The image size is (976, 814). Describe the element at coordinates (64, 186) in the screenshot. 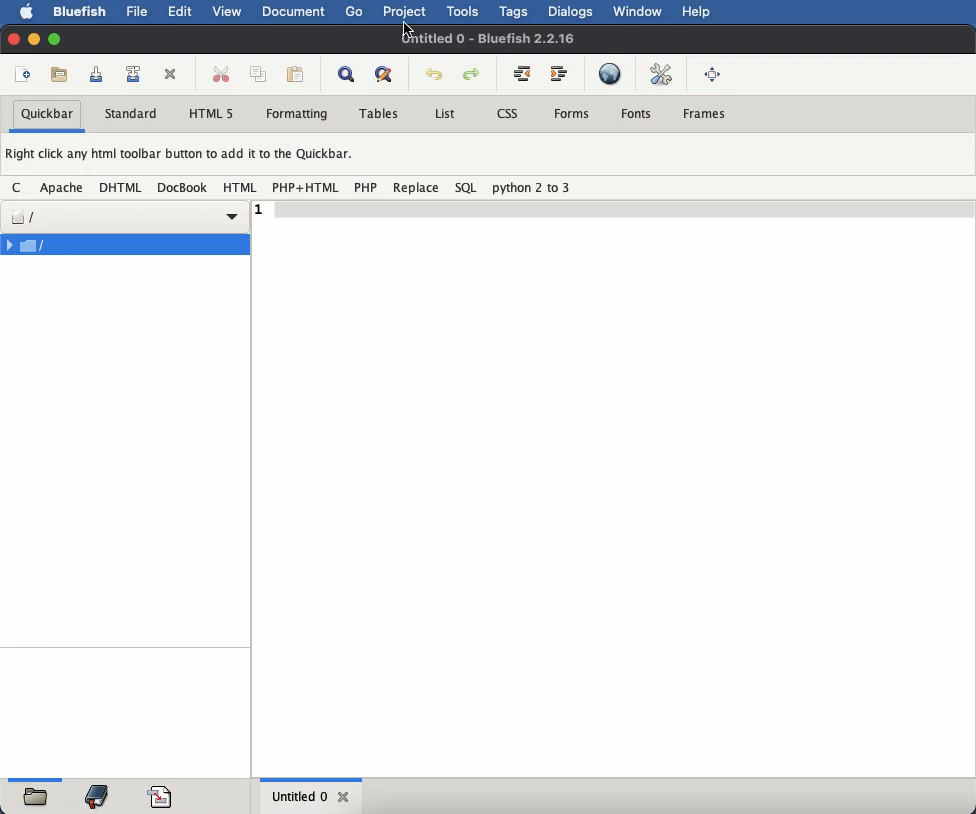

I see `apache` at that location.